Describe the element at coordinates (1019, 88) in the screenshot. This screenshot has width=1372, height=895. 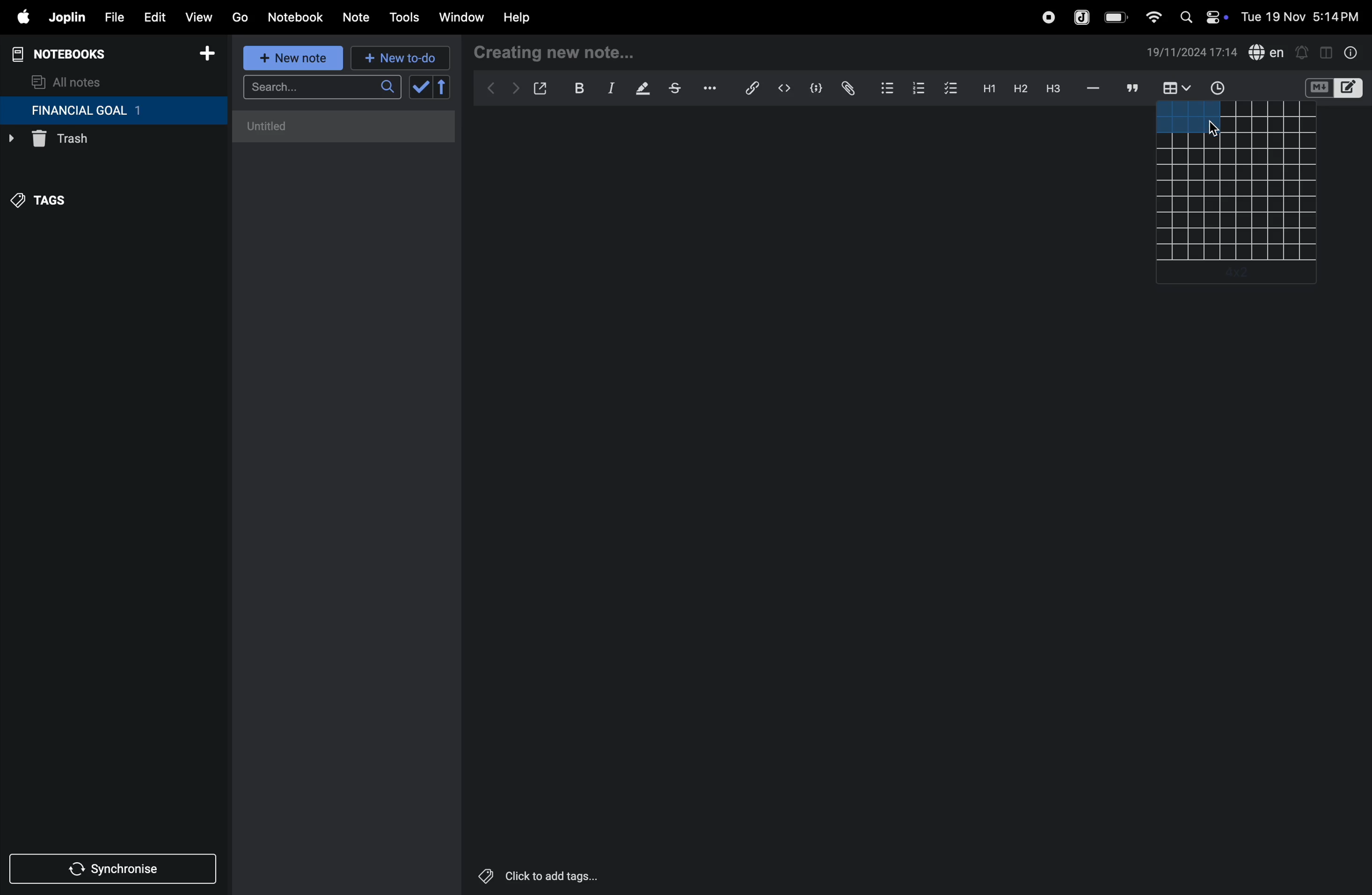
I see `h2` at that location.